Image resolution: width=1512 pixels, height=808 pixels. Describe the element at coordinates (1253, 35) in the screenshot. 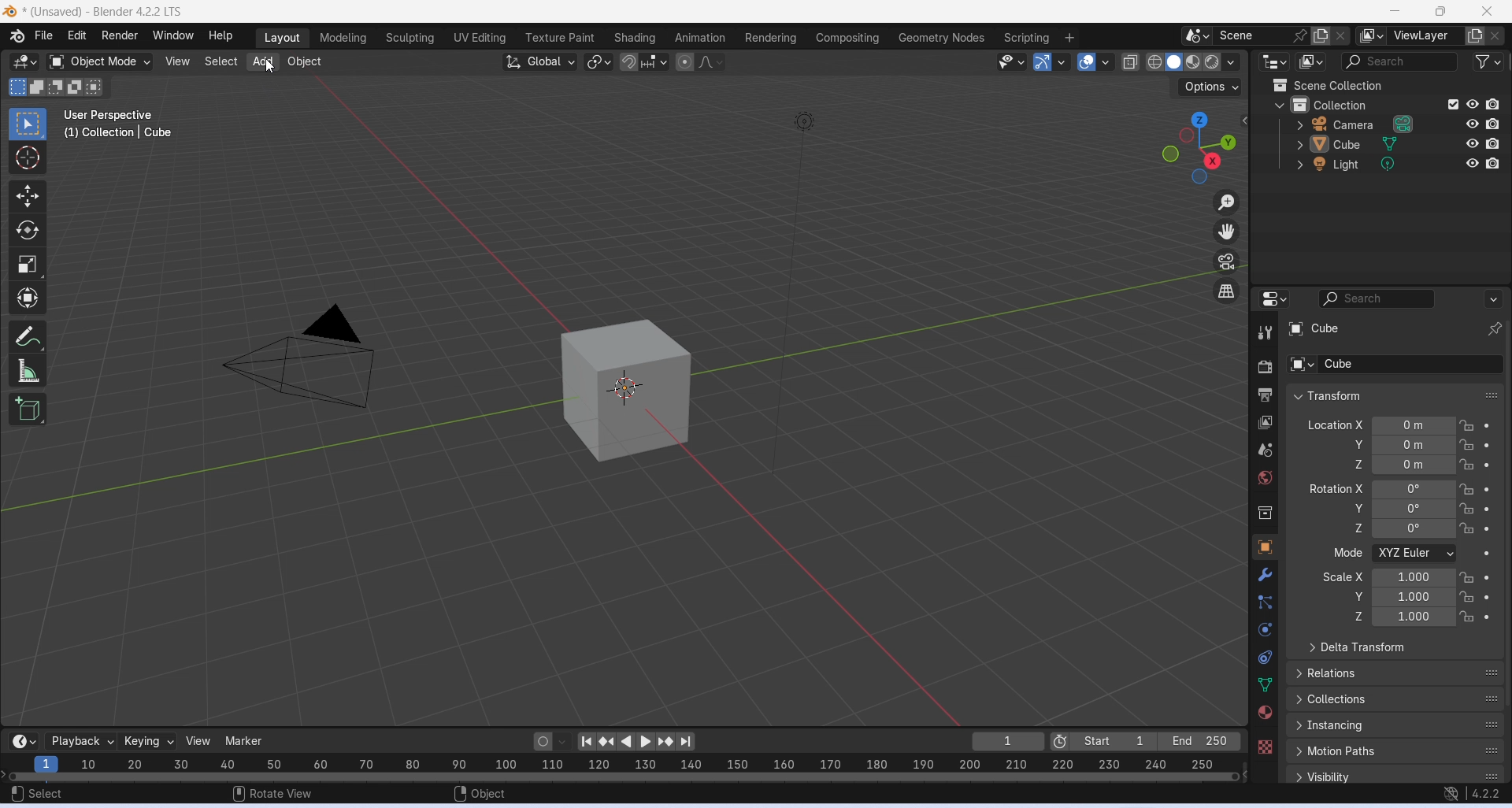

I see `scene name` at that location.